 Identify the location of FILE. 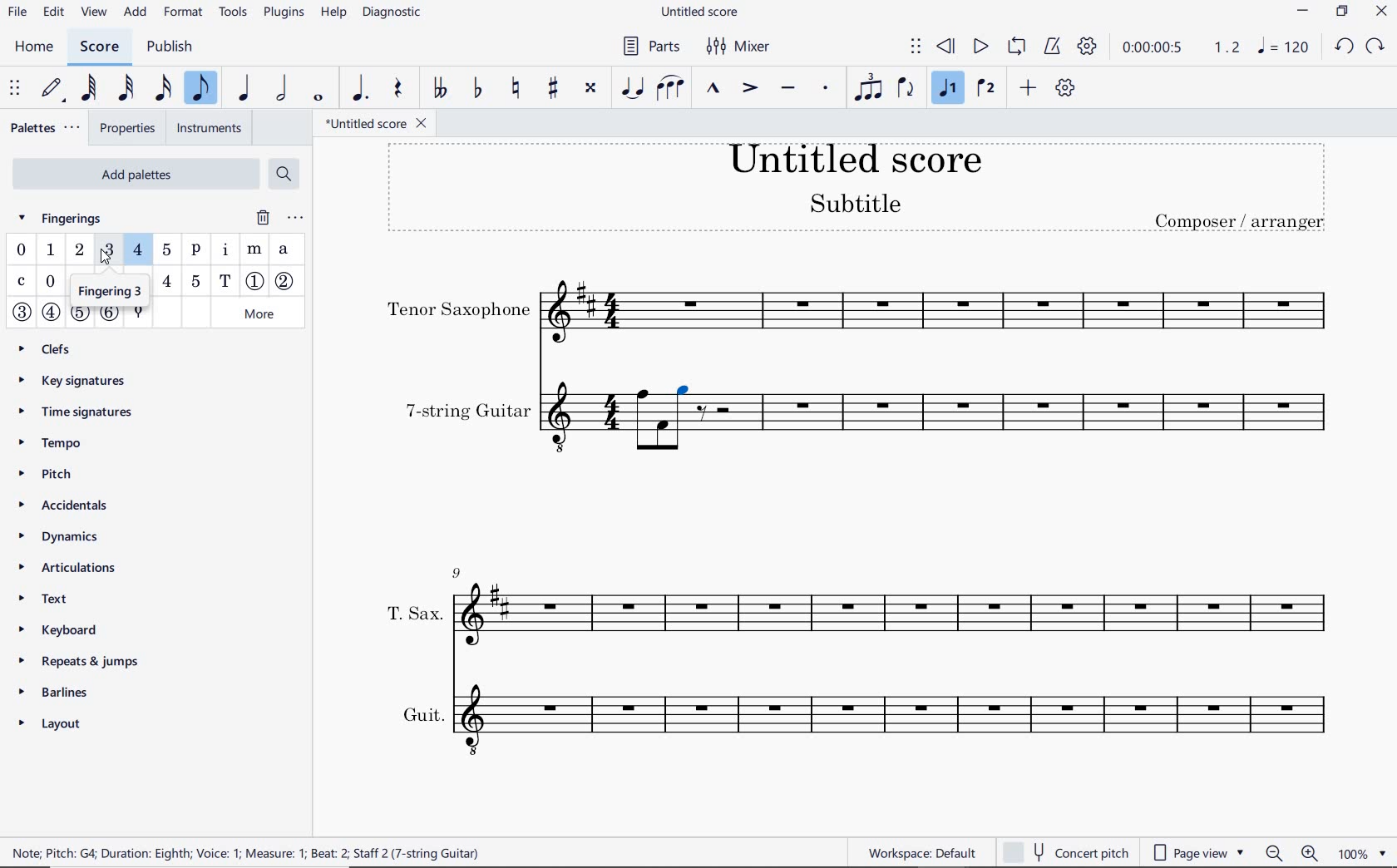
(17, 14).